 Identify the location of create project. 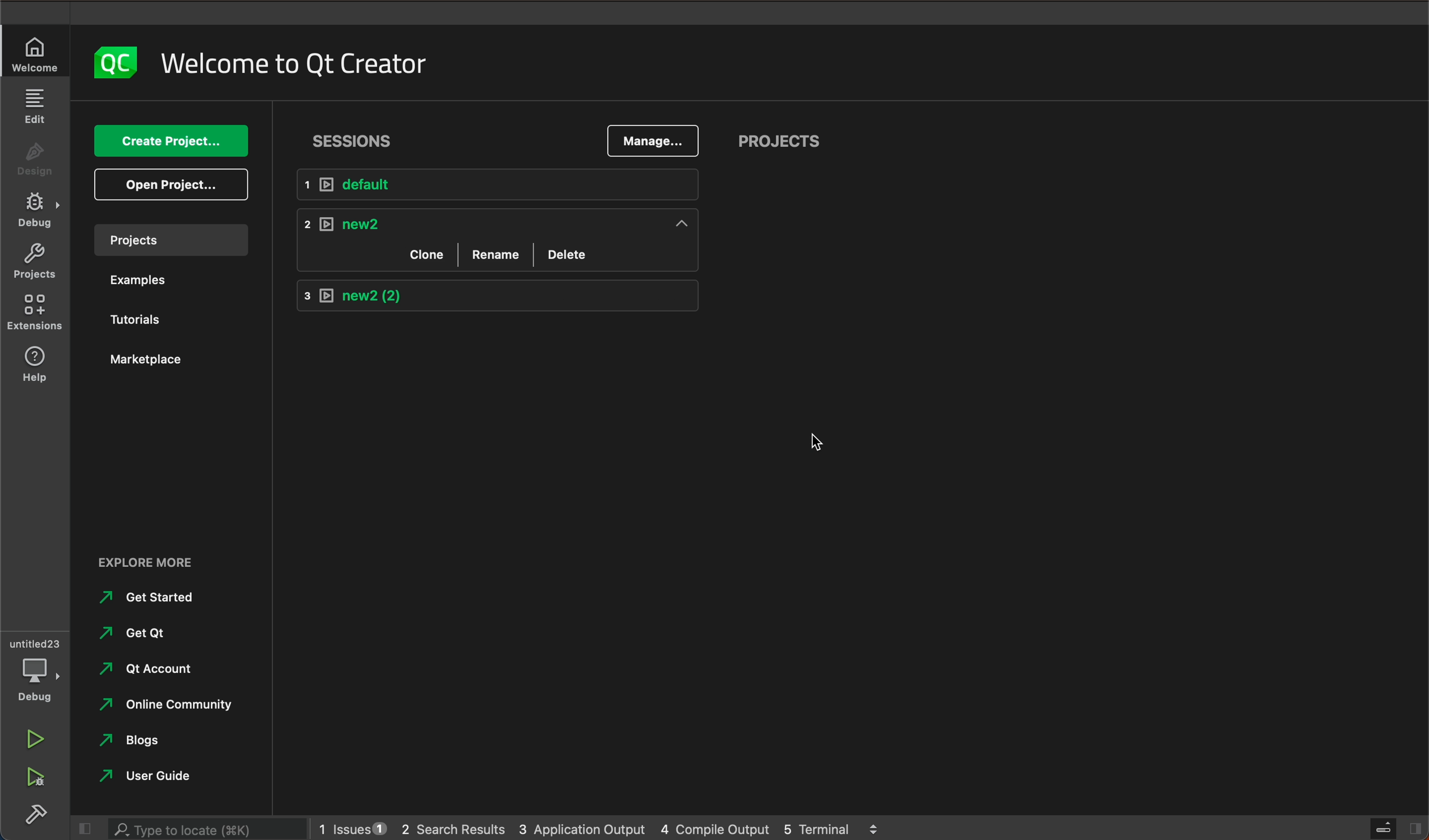
(170, 141).